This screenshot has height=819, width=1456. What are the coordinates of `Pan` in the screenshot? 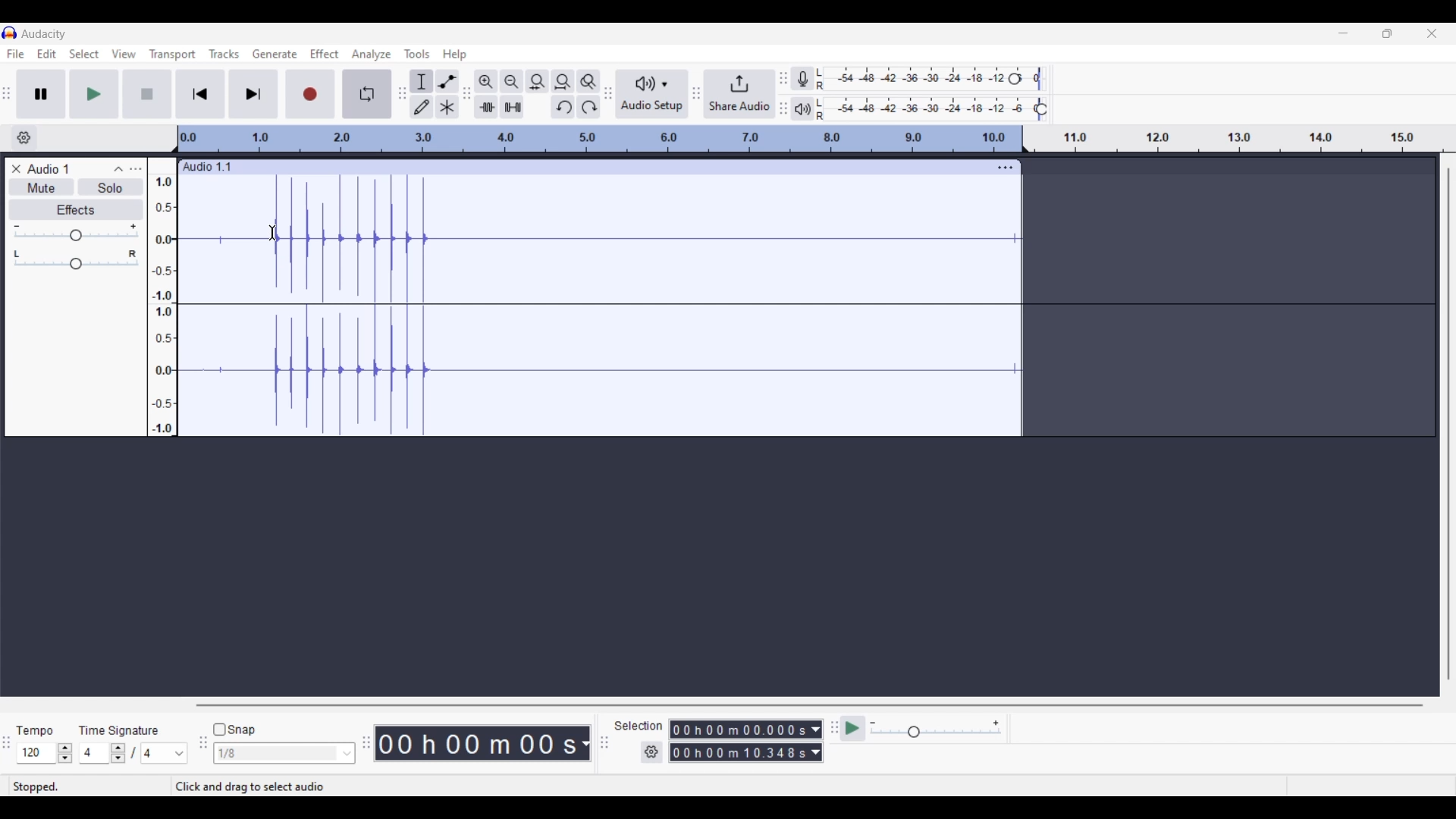 It's located at (76, 265).